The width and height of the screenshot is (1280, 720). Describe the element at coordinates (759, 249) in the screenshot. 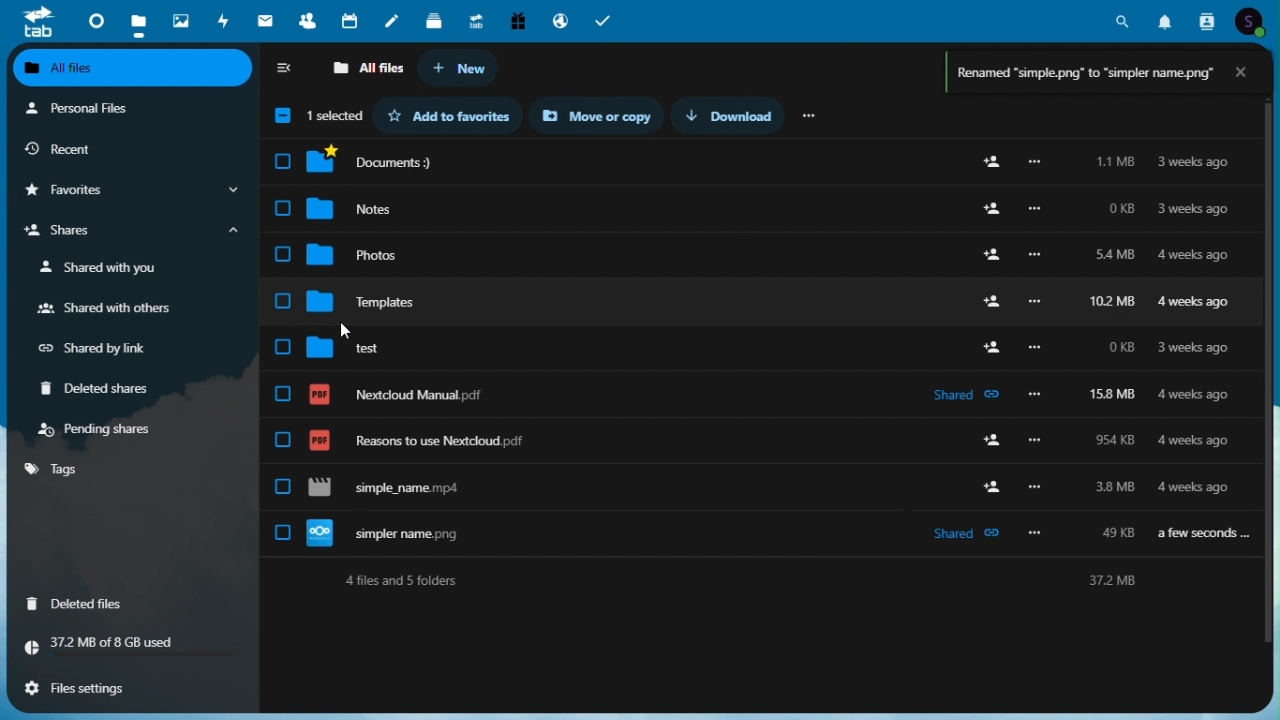

I see `Photos 54 Mb 4 weeks ago` at that location.